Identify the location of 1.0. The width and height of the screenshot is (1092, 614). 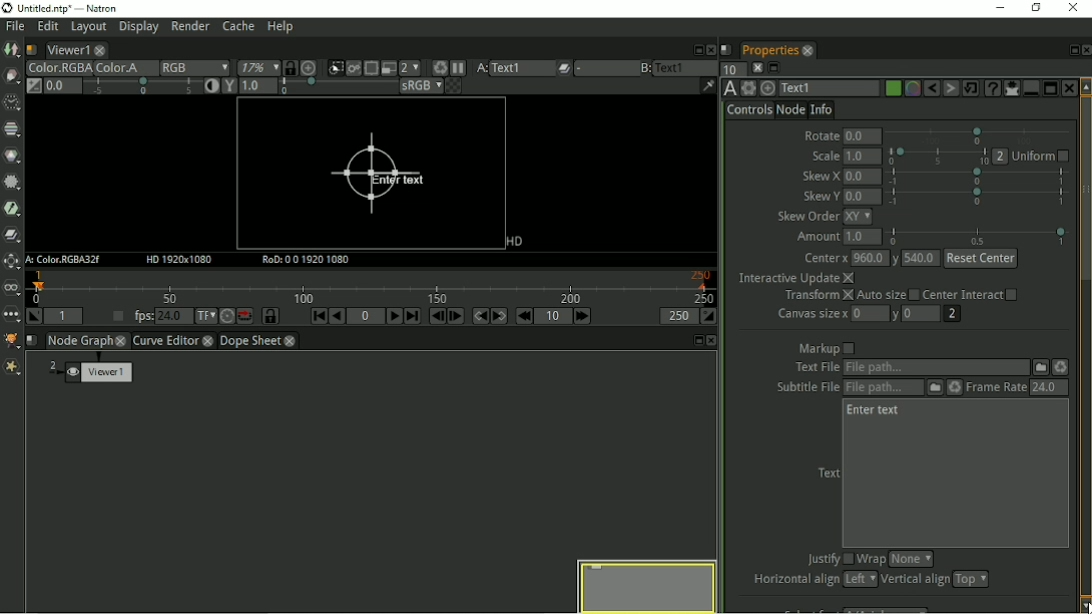
(862, 155).